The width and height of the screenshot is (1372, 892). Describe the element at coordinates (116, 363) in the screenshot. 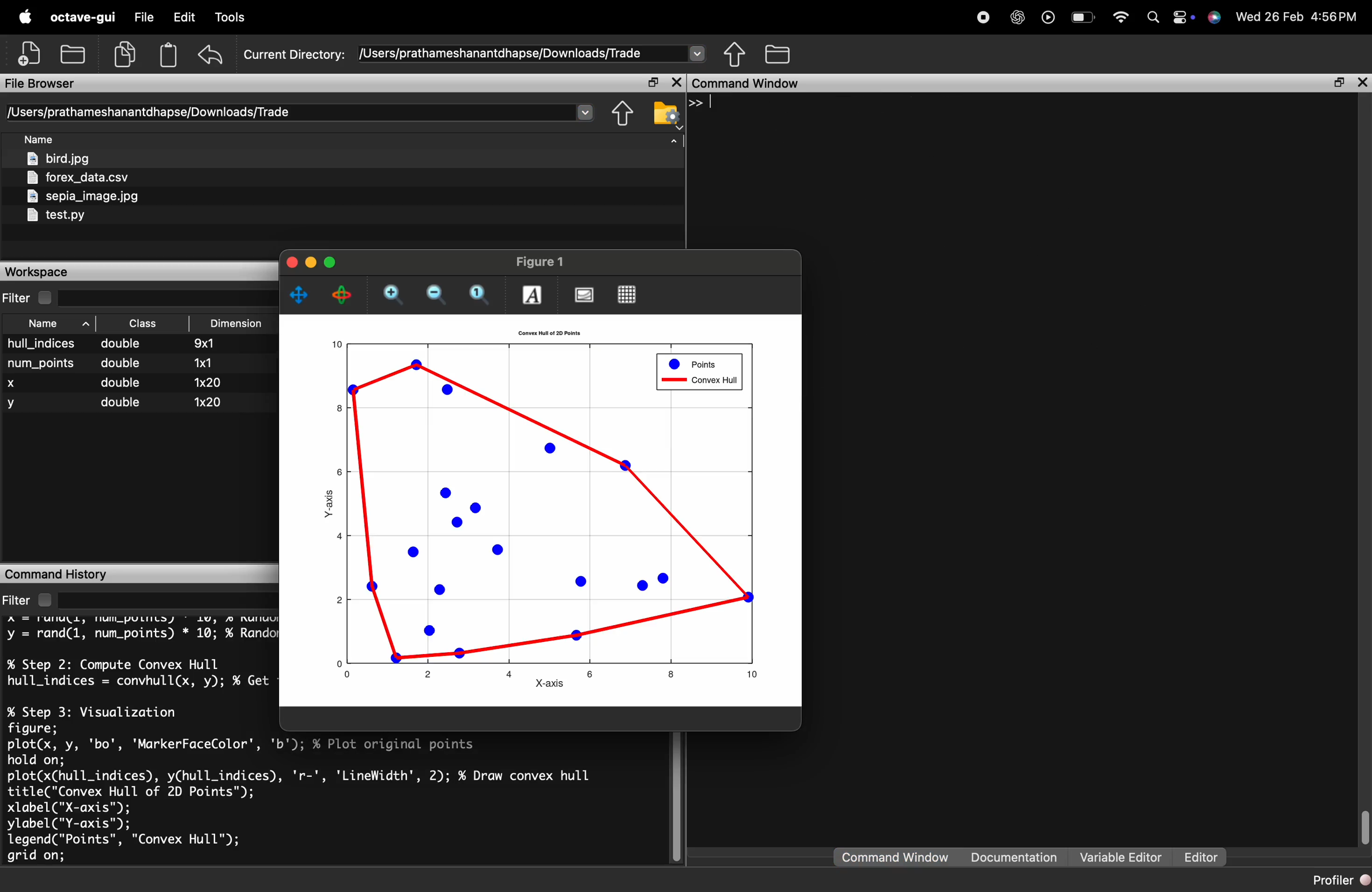

I see `num_points double 1x1` at that location.